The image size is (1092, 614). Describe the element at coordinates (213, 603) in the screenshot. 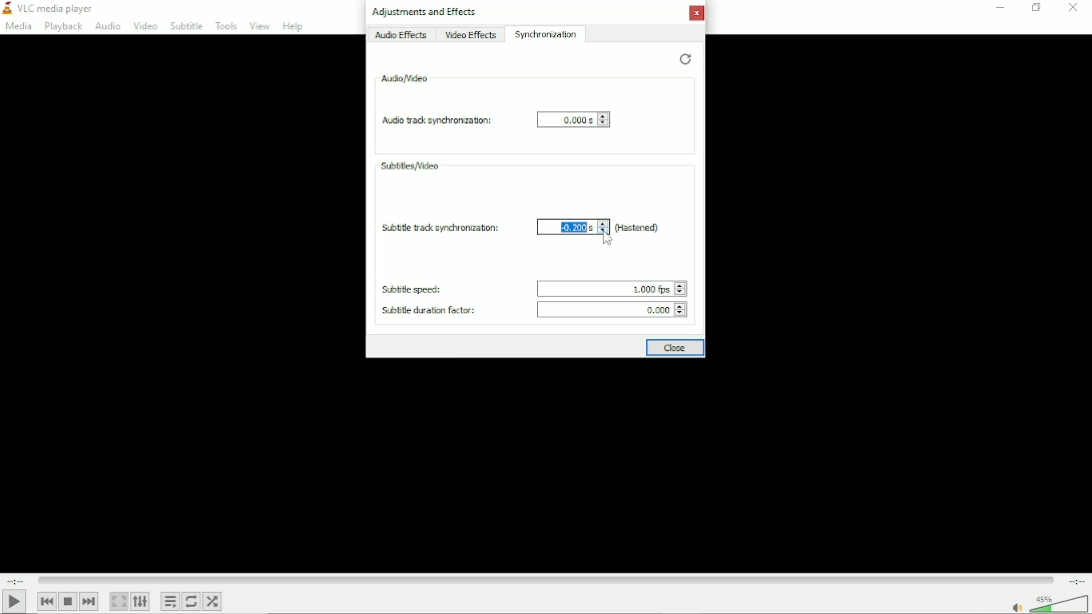

I see `Random` at that location.